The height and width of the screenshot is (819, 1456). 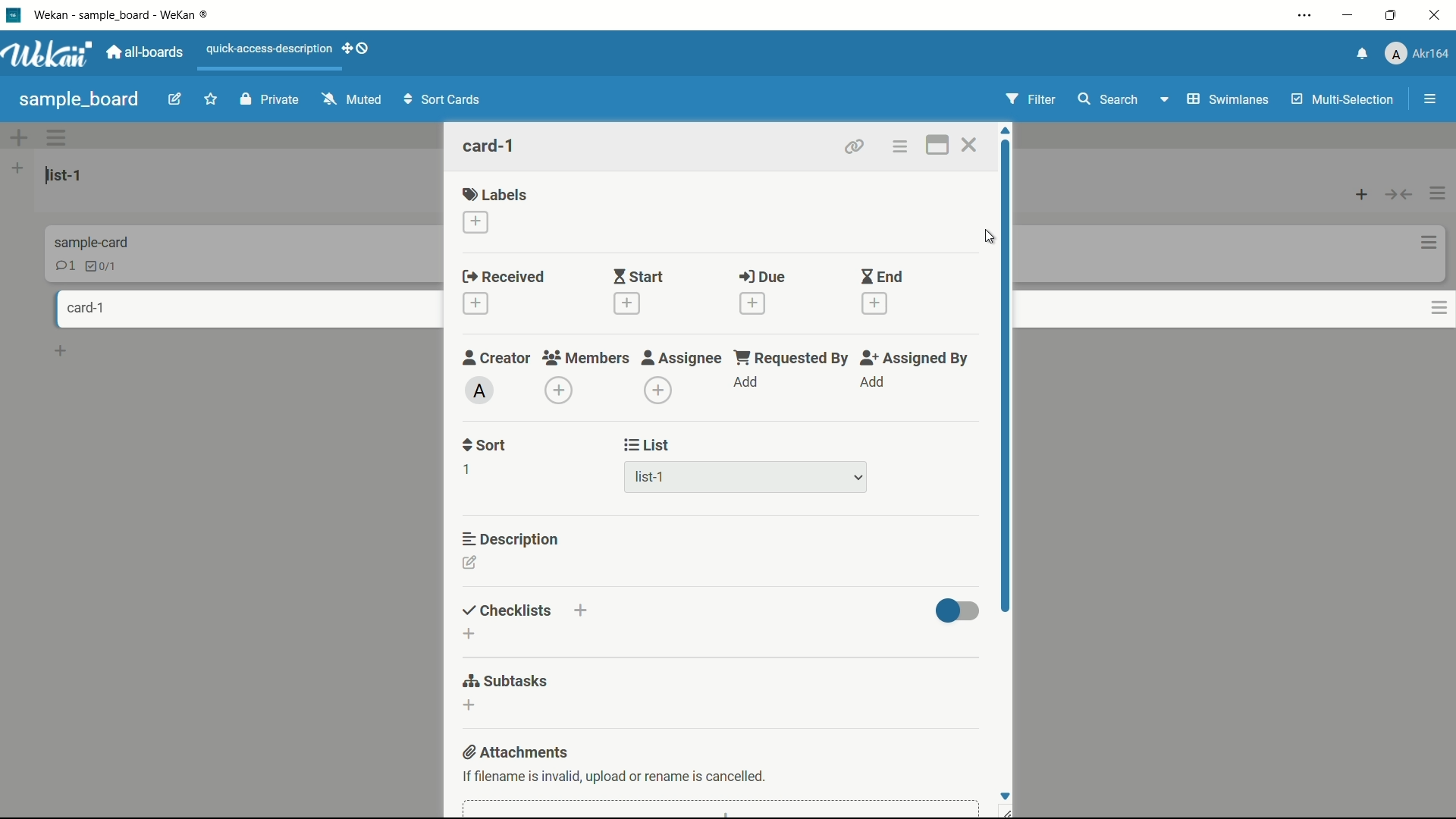 What do you see at coordinates (470, 644) in the screenshot?
I see `add checklist` at bounding box center [470, 644].